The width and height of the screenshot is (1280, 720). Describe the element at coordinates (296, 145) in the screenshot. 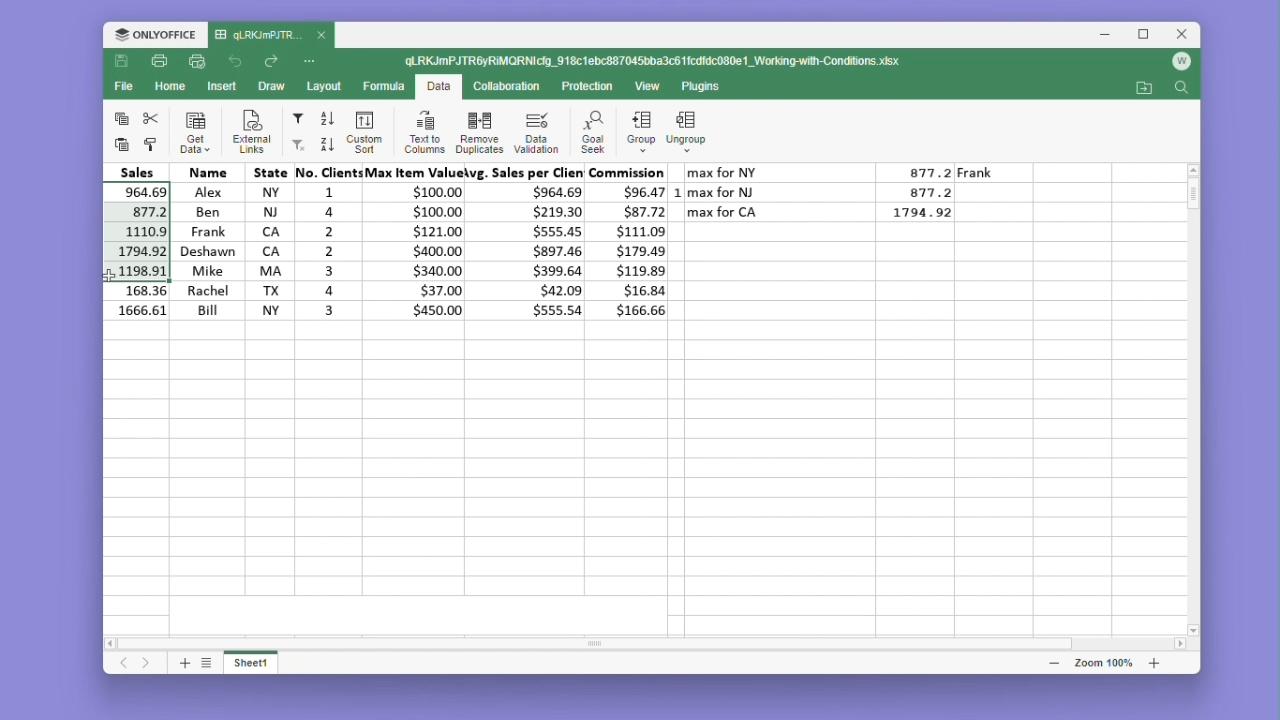

I see `Custom filter` at that location.